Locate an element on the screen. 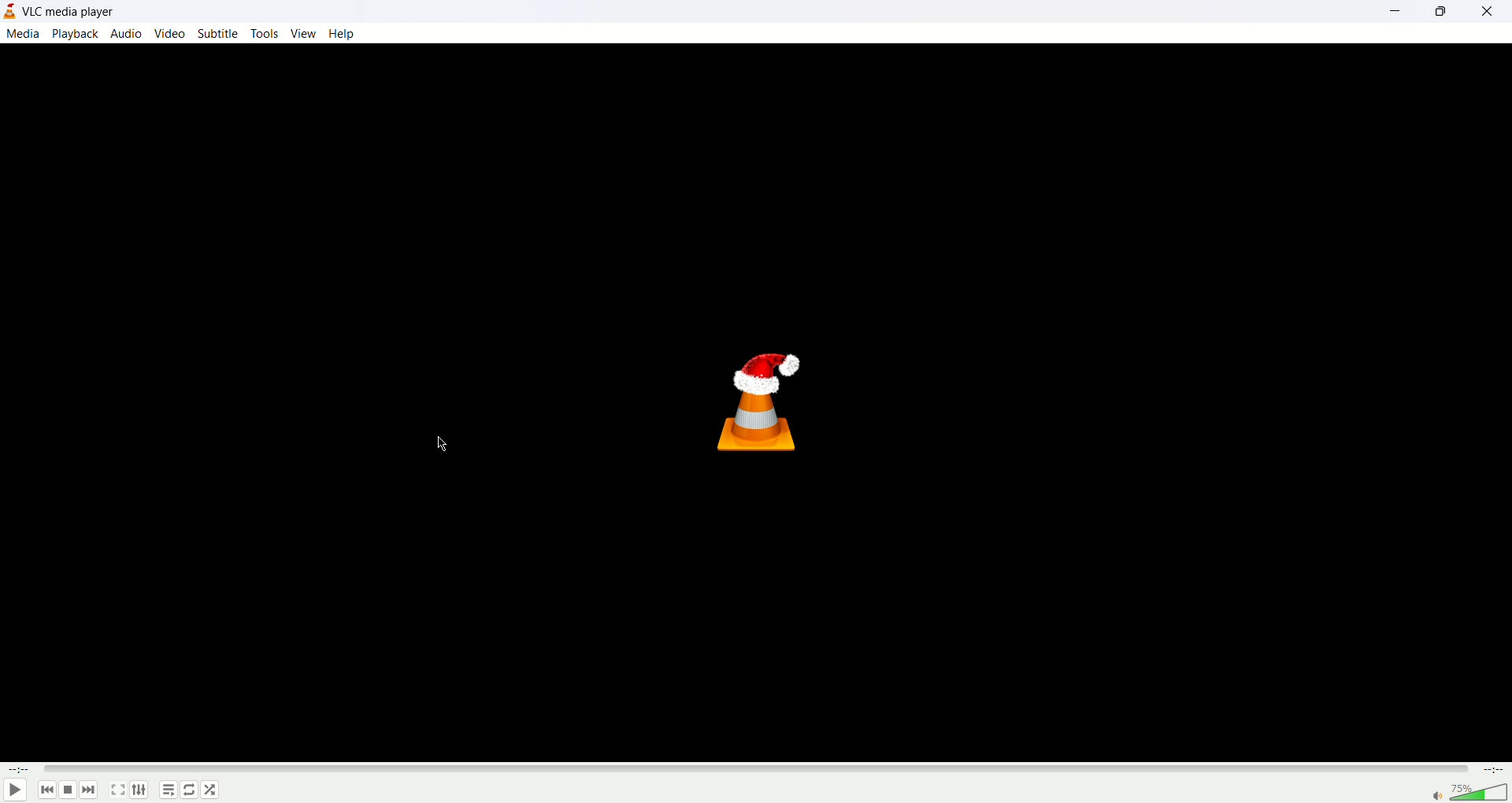  maximize is located at coordinates (1450, 13).